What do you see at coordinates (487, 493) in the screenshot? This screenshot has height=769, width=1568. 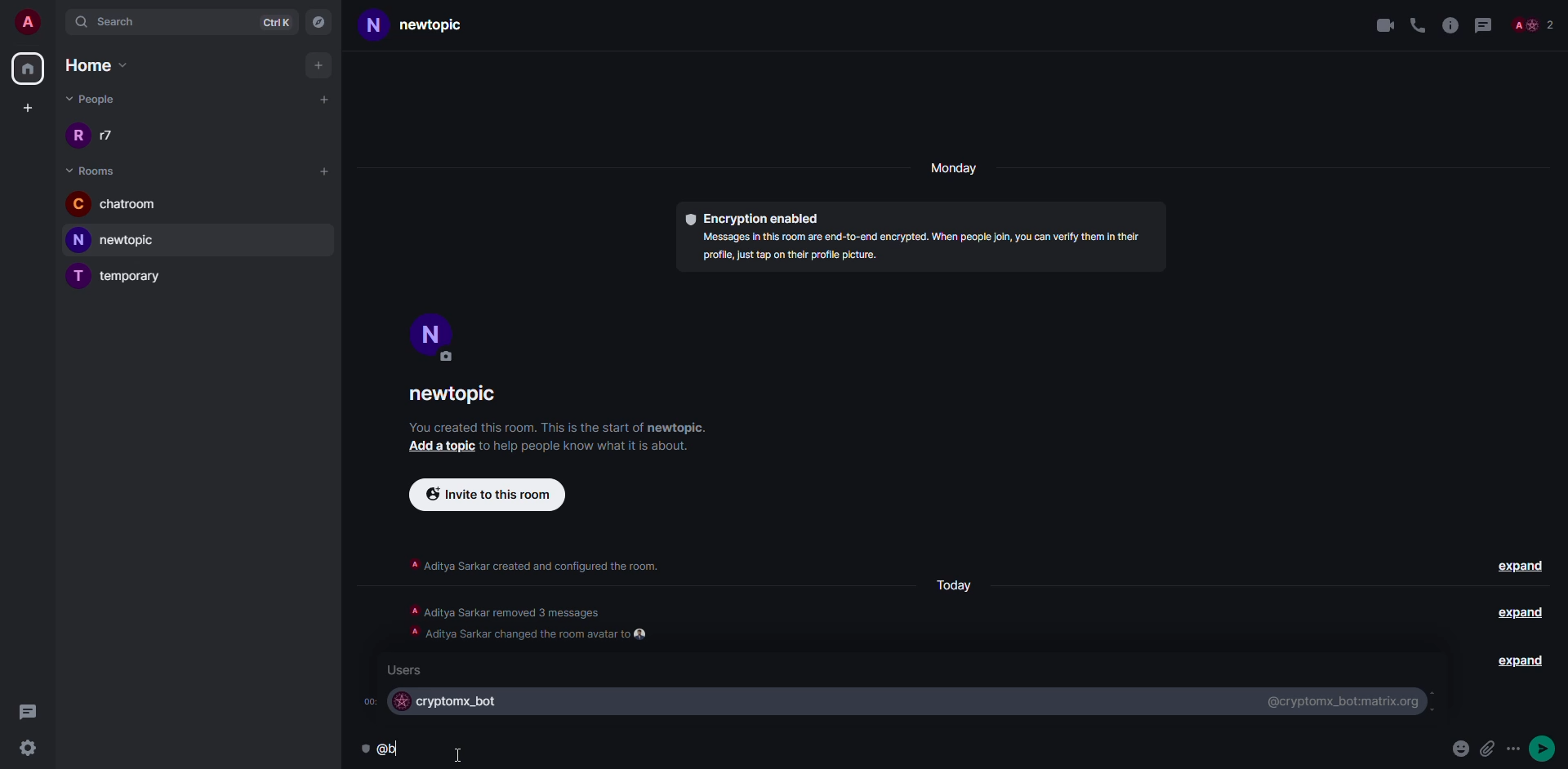 I see `invite to this room` at bounding box center [487, 493].